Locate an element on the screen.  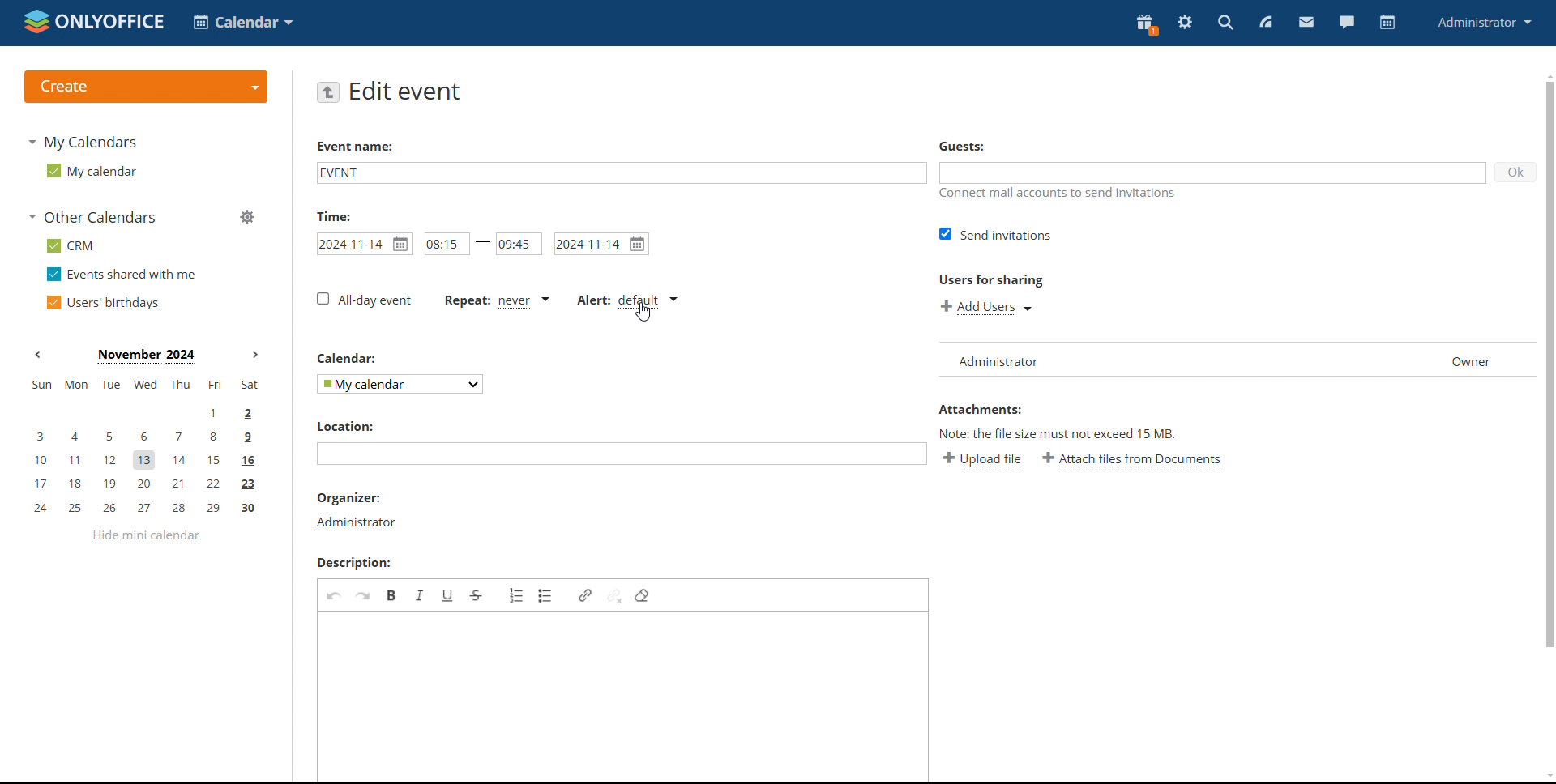
link is located at coordinates (584, 595).